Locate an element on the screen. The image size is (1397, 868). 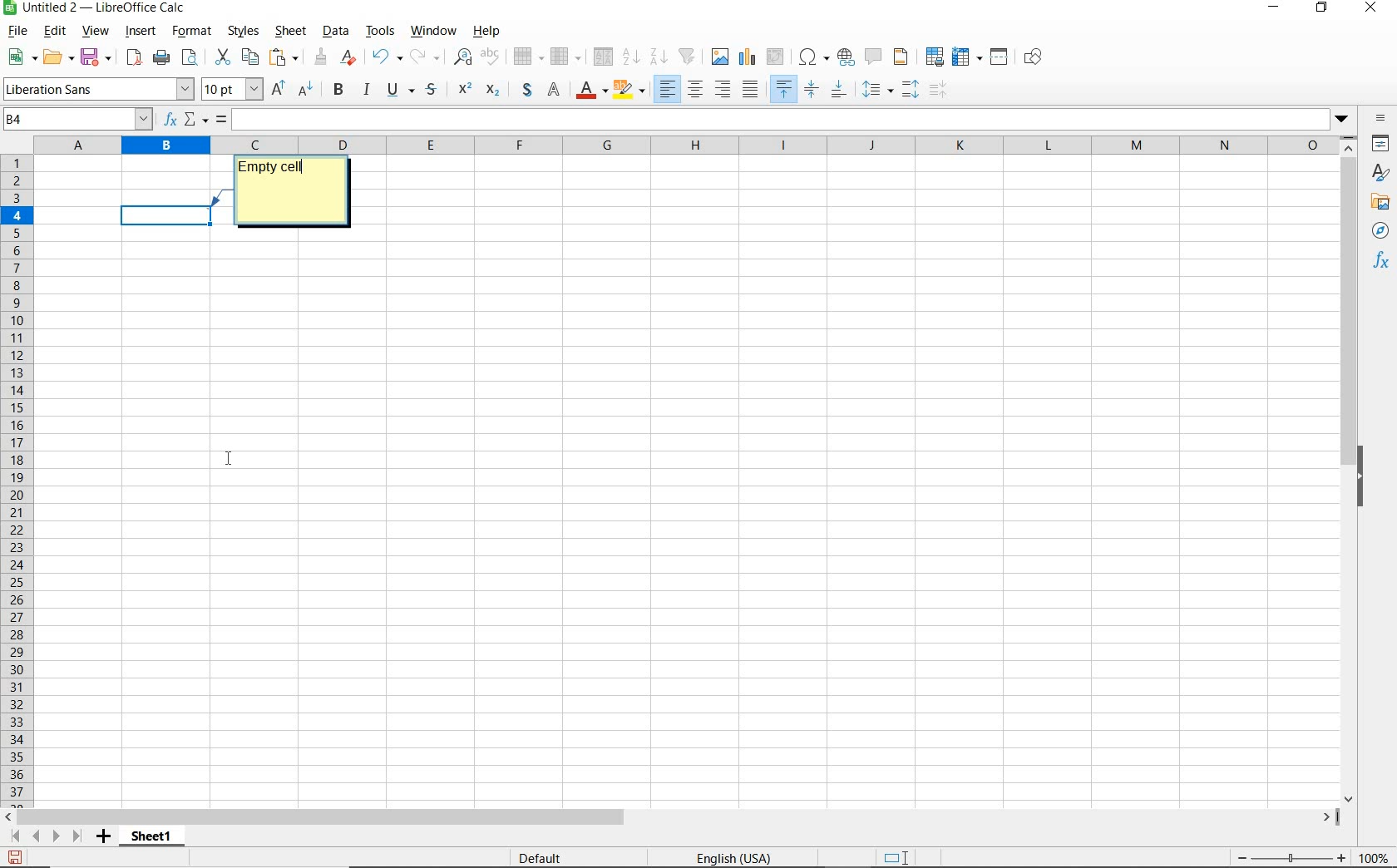
insert image is located at coordinates (720, 57).